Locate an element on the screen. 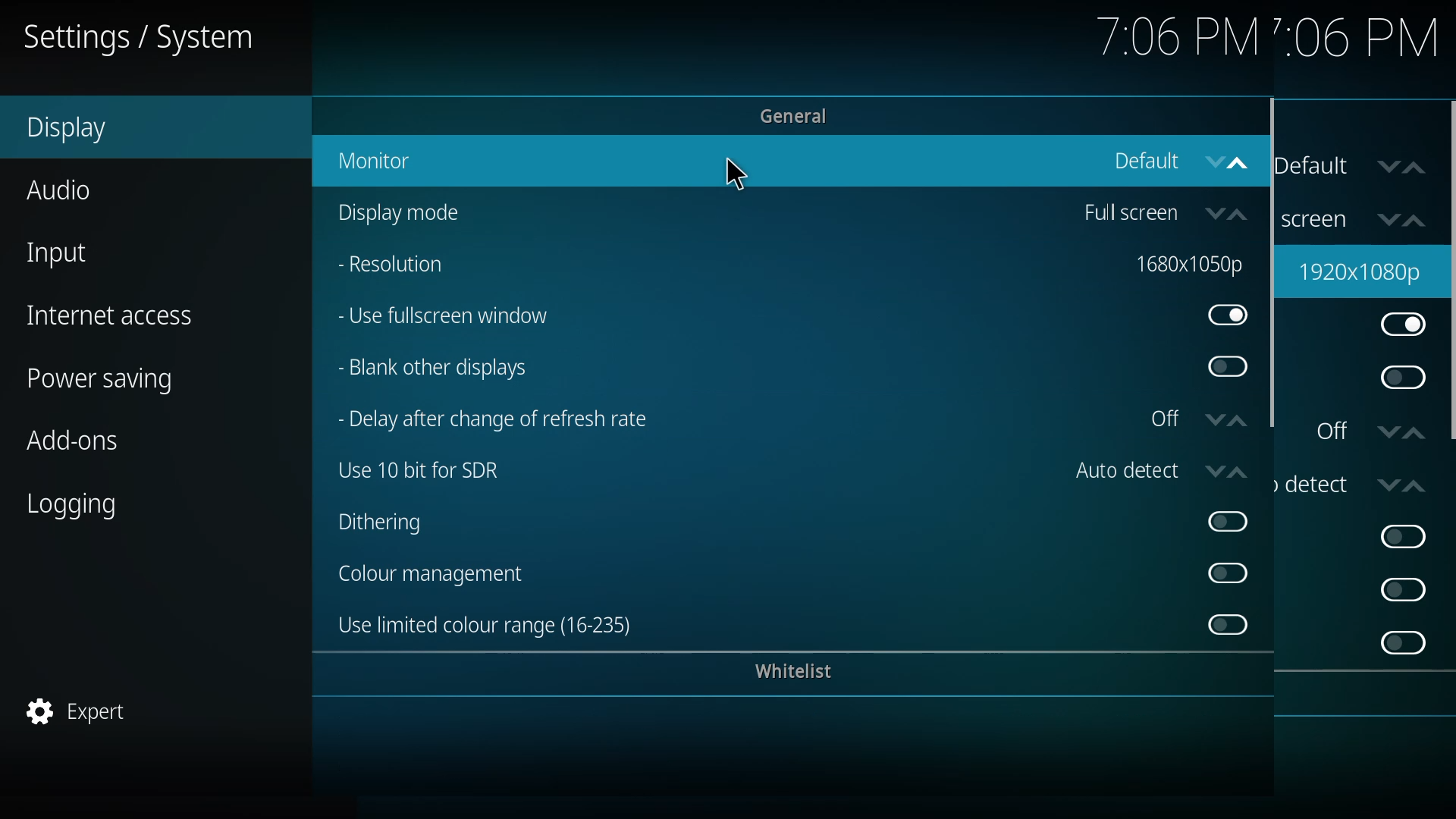 The width and height of the screenshot is (1456, 819). enabled is located at coordinates (1222, 318).